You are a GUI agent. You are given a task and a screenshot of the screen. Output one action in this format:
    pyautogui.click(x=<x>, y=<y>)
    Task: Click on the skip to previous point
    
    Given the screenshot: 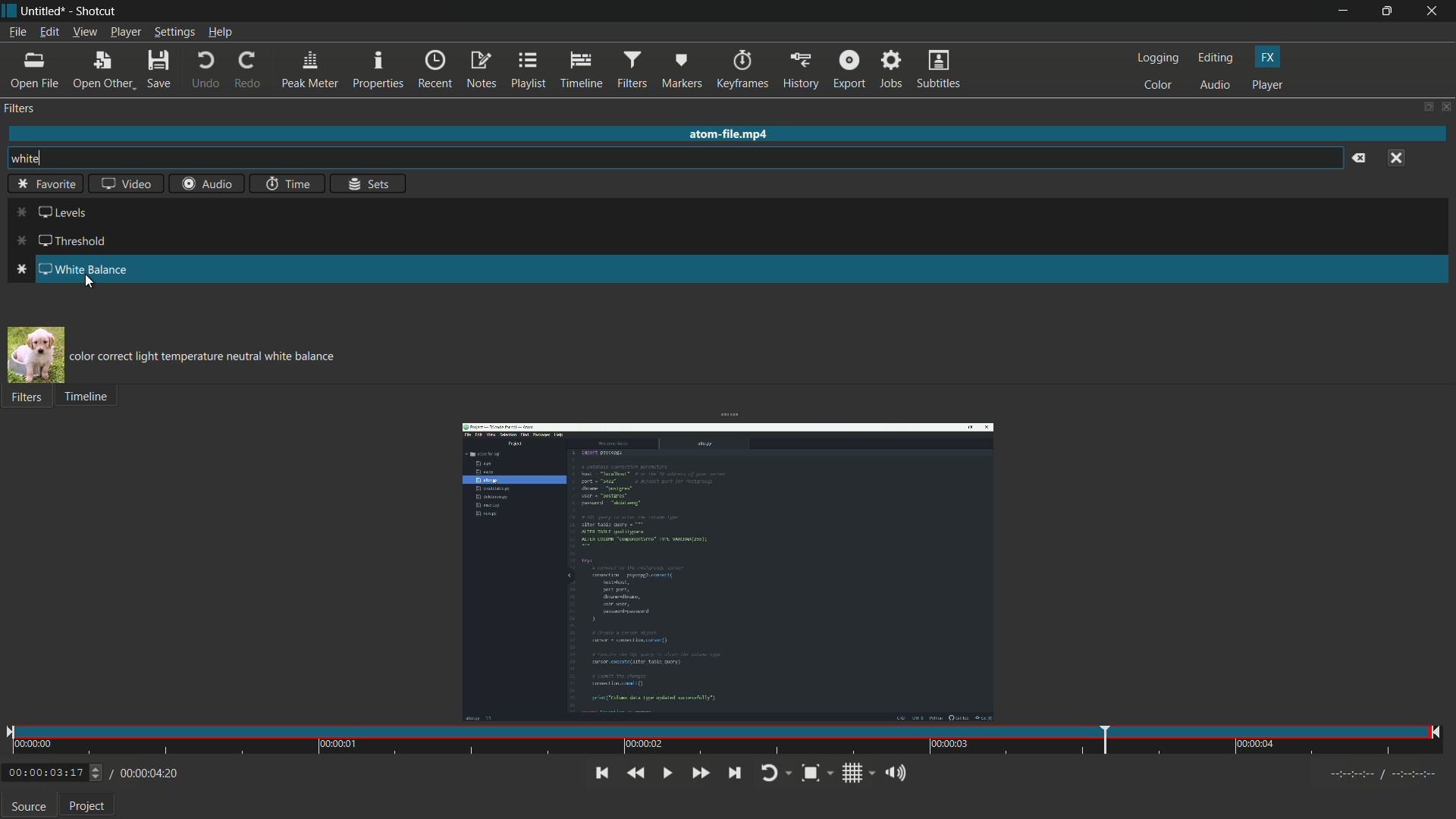 What is the action you would take?
    pyautogui.click(x=599, y=772)
    